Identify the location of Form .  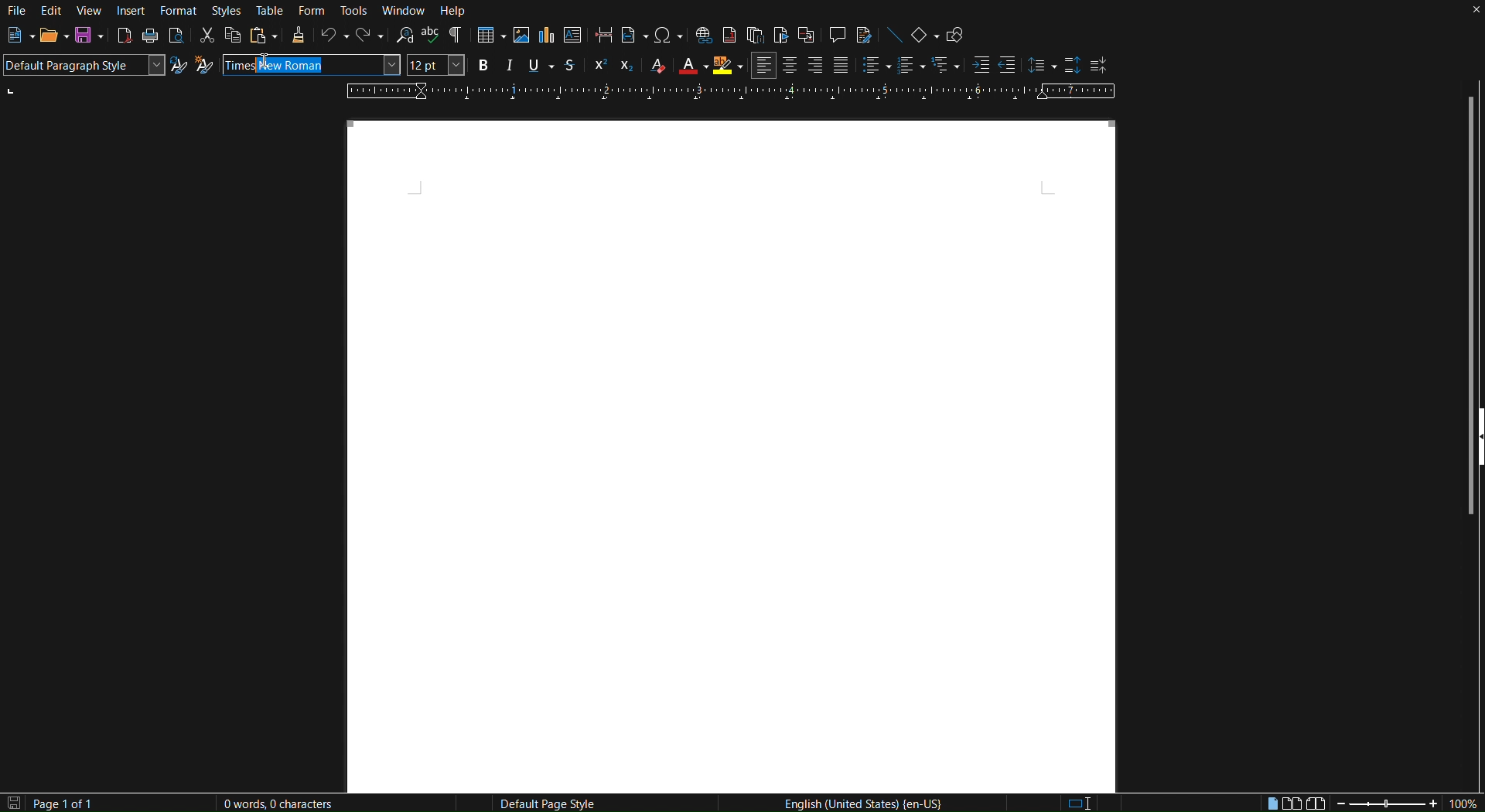
(312, 11).